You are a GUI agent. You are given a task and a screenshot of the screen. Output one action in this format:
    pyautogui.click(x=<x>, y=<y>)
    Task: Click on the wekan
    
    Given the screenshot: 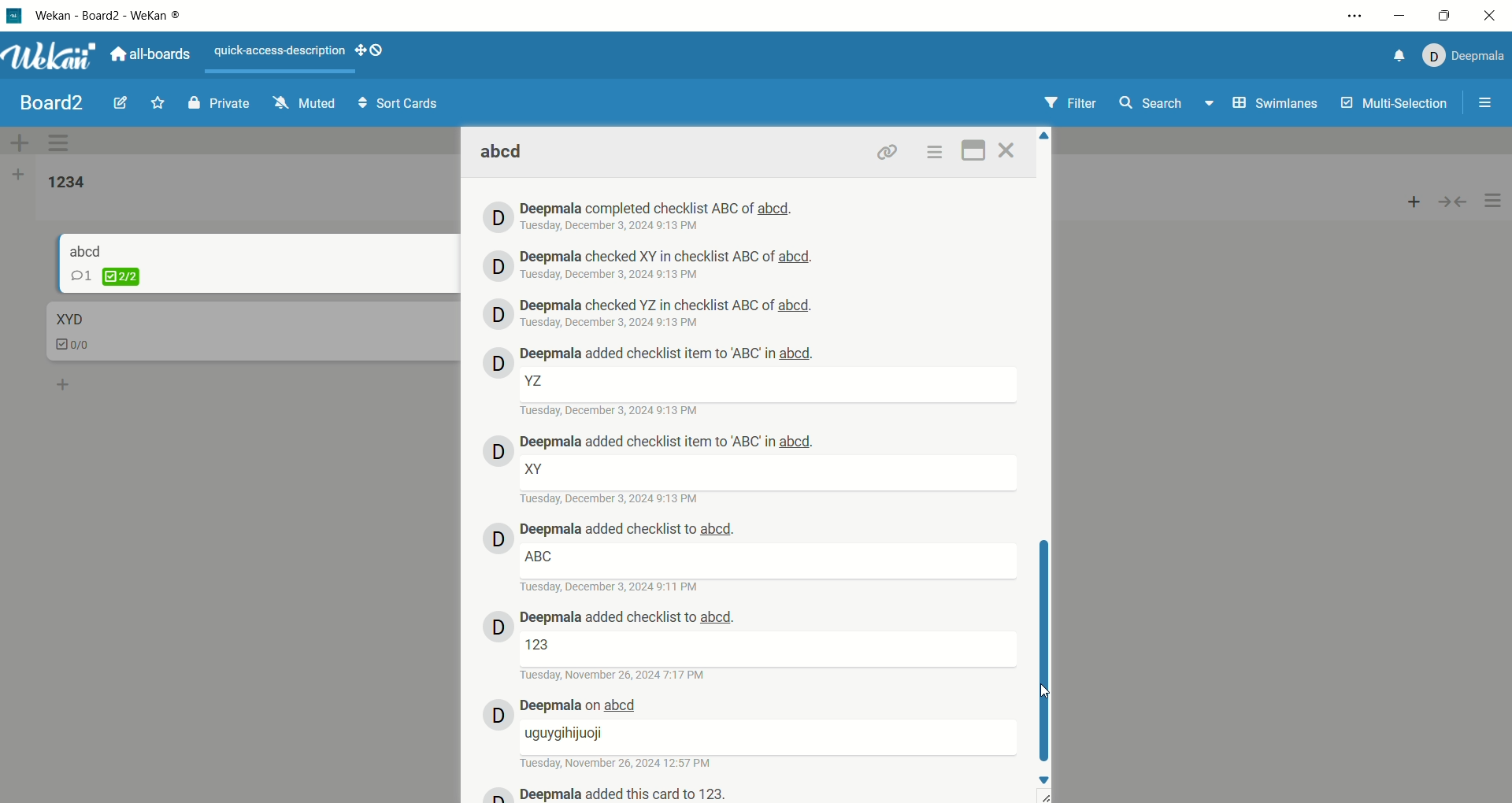 What is the action you would take?
    pyautogui.click(x=50, y=58)
    